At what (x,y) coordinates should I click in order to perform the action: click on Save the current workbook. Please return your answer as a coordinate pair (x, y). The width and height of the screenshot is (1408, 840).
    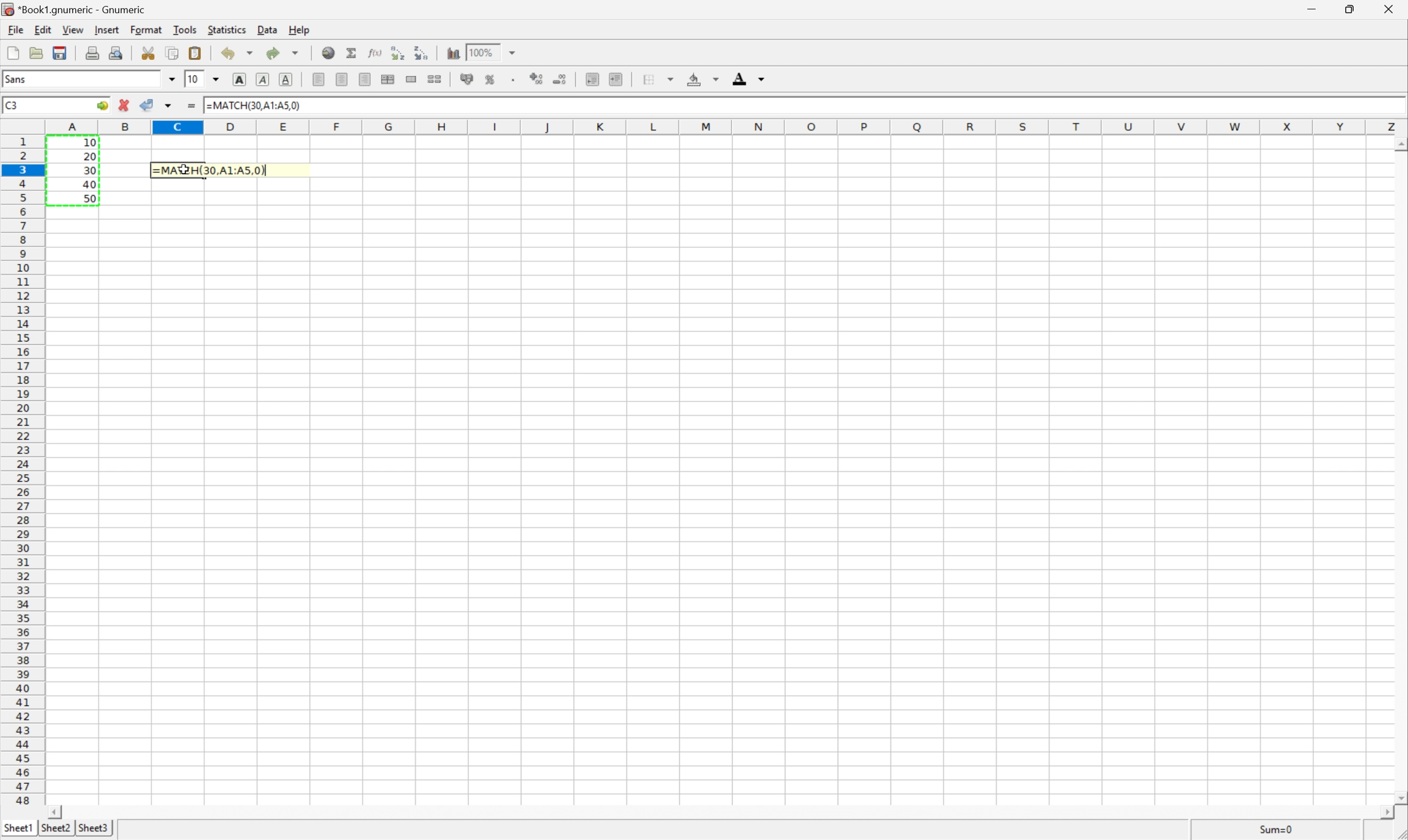
    Looking at the image, I should click on (60, 52).